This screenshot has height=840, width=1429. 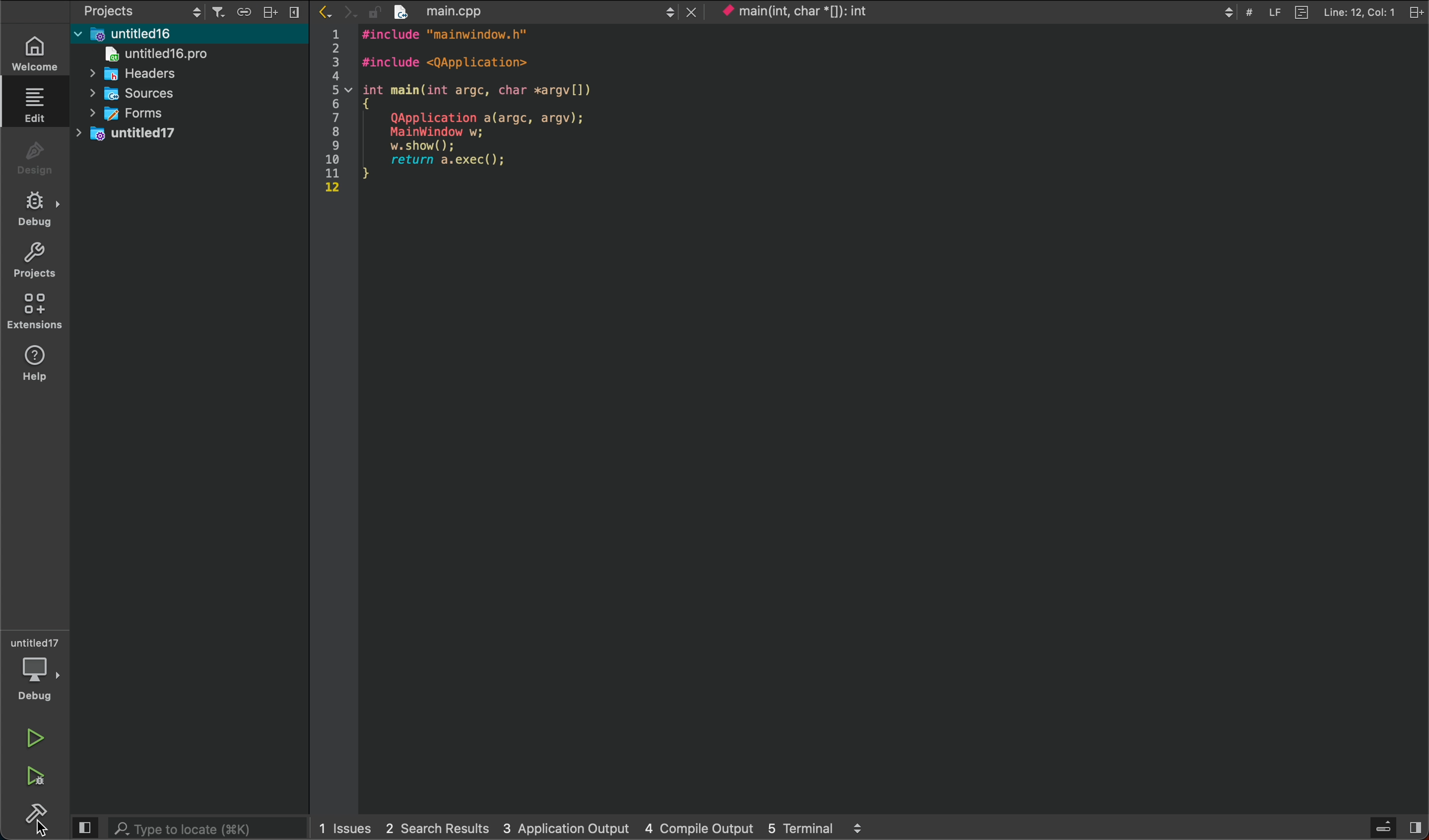 What do you see at coordinates (33, 261) in the screenshot?
I see `projects` at bounding box center [33, 261].